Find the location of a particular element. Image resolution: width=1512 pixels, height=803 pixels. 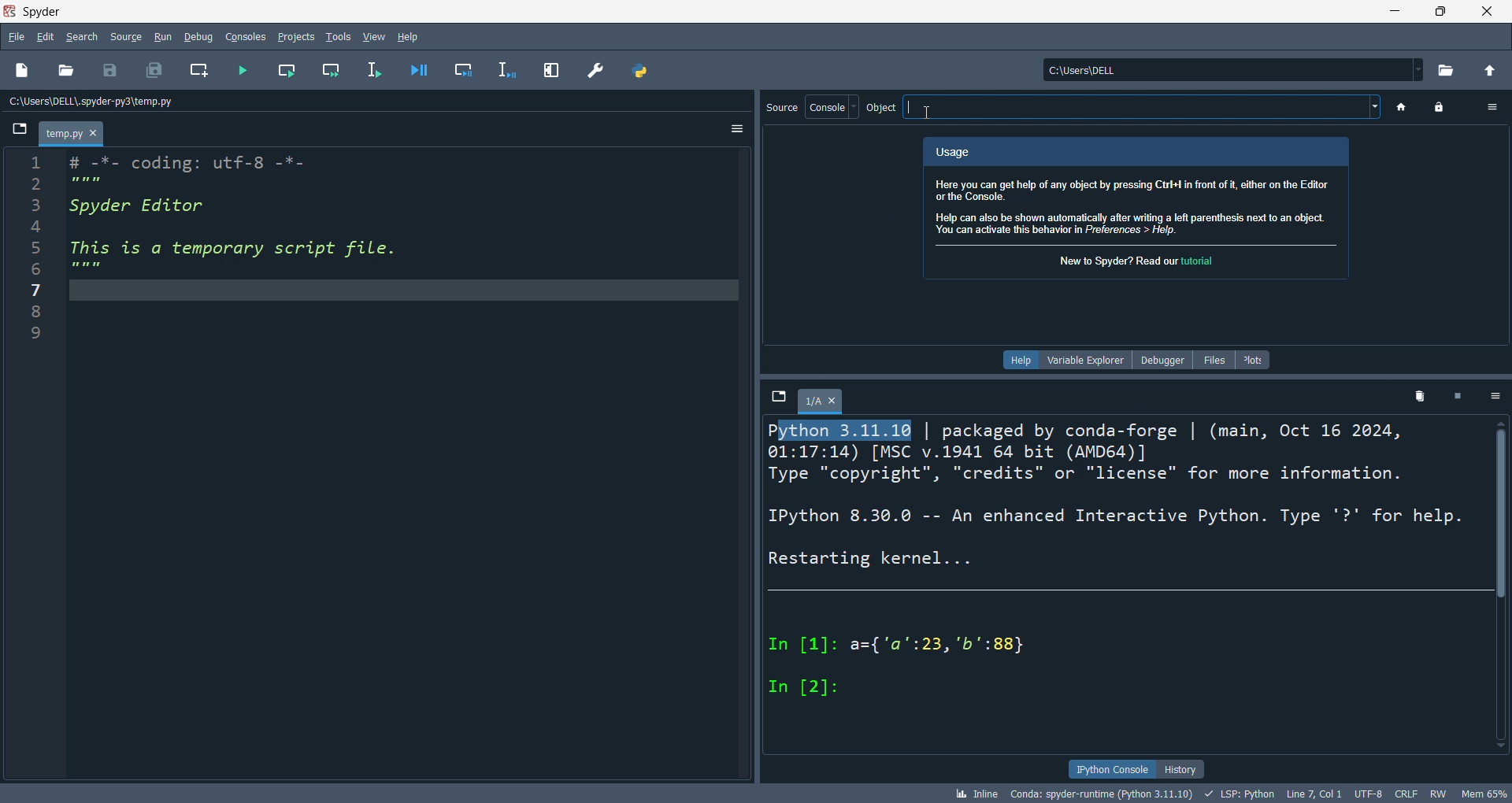

help is located at coordinates (1017, 360).